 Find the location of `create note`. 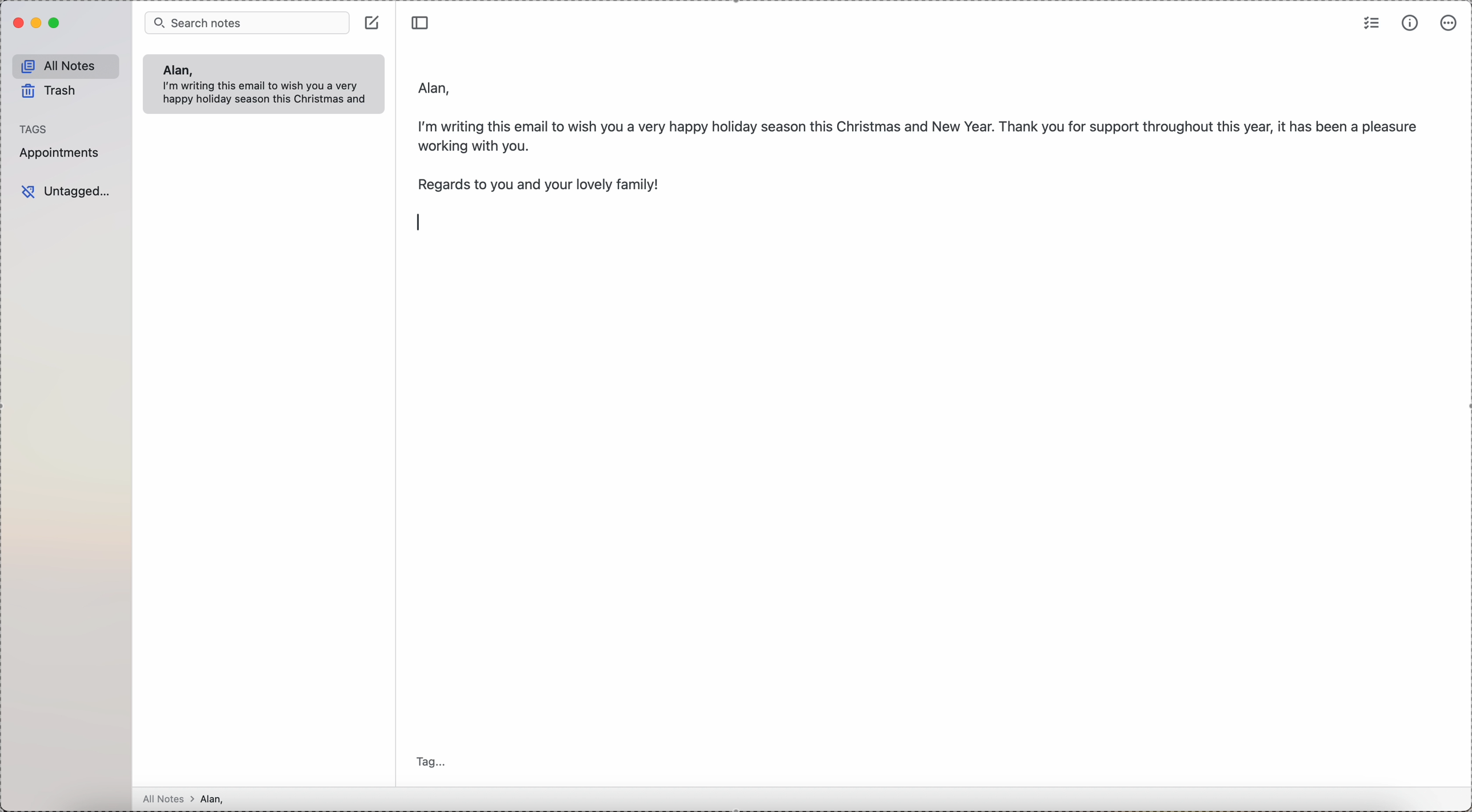

create note is located at coordinates (374, 22).